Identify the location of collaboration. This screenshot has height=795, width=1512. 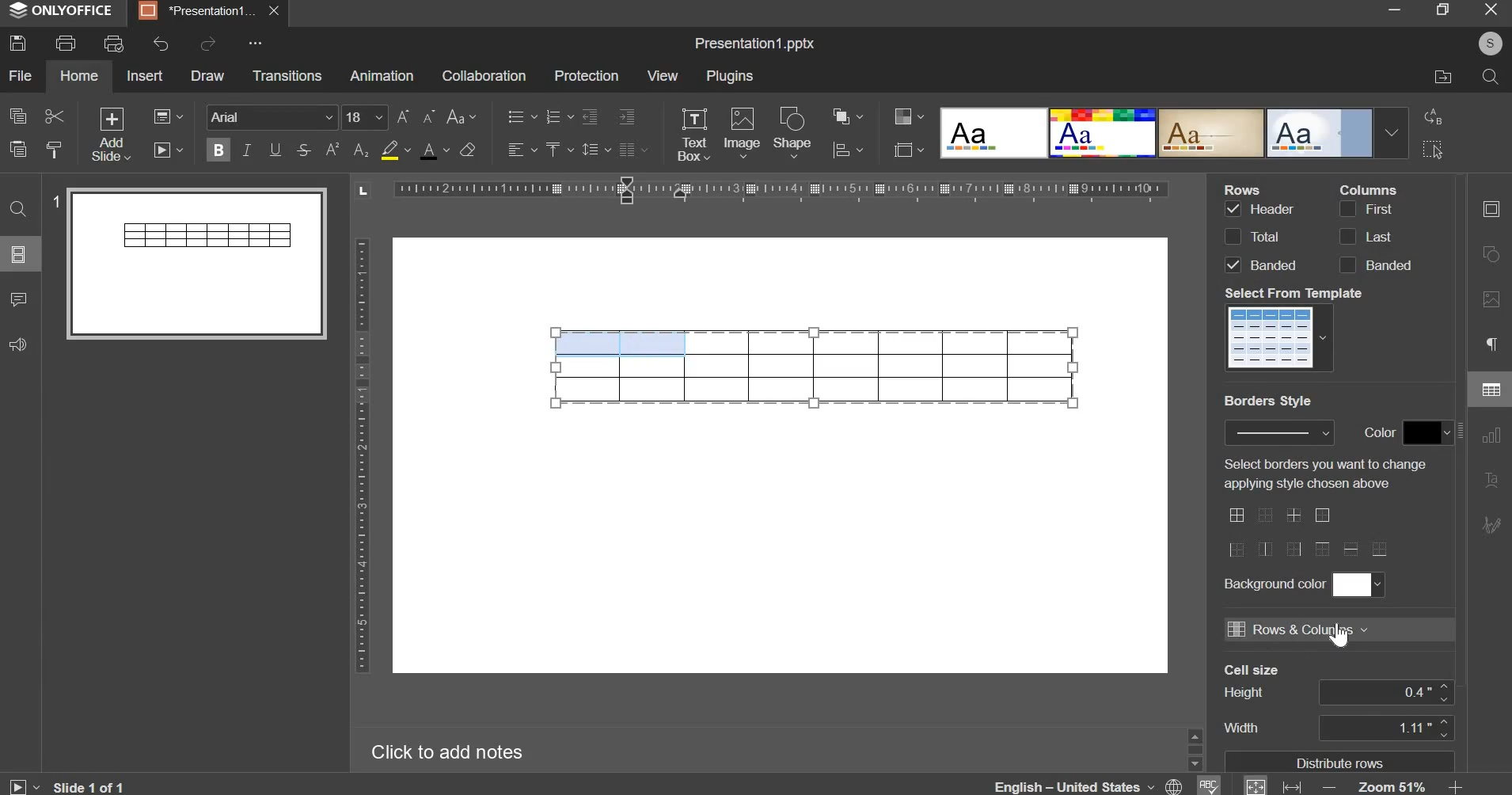
(483, 75).